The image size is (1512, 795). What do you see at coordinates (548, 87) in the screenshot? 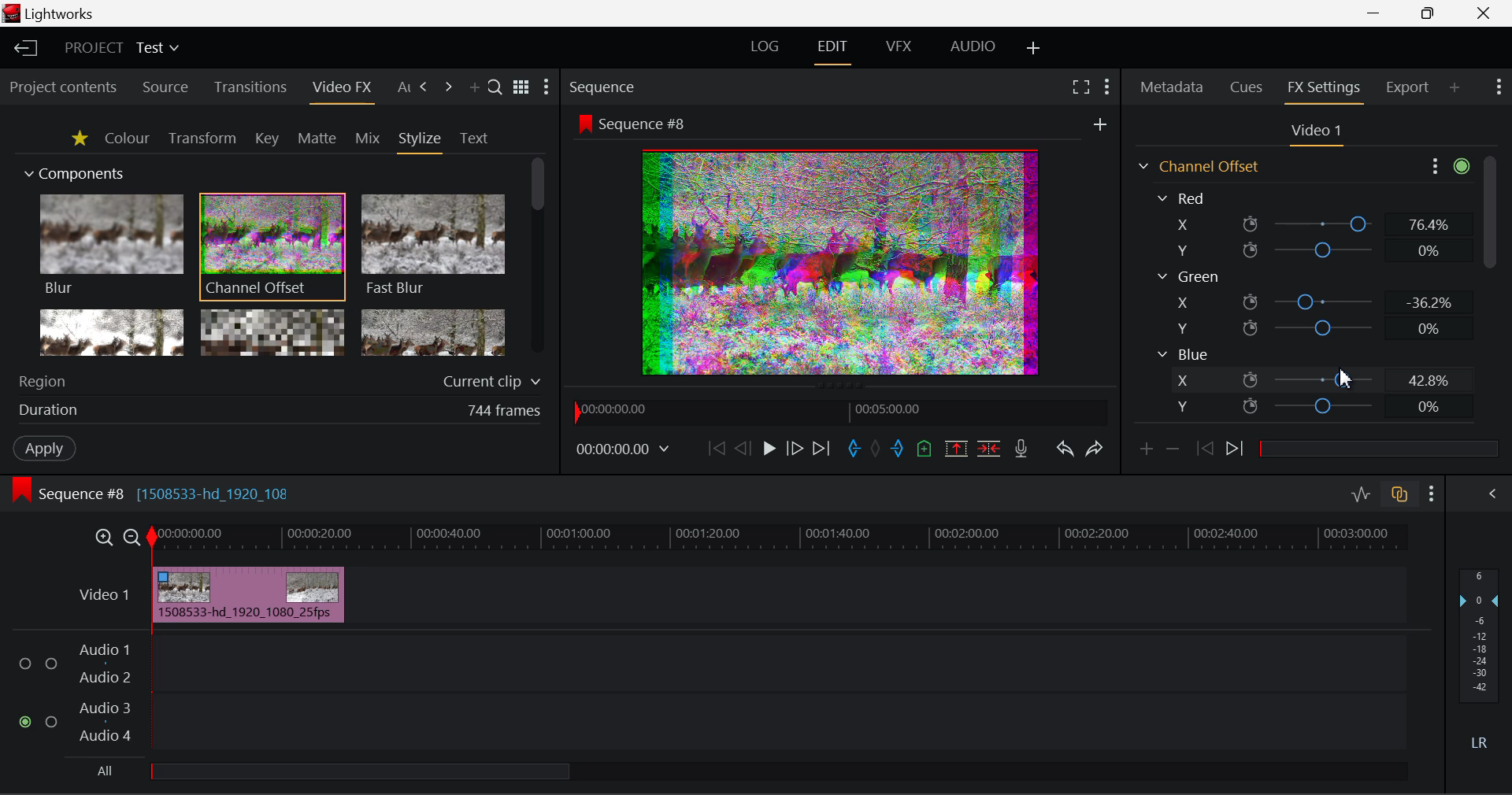
I see `Show Settings` at bounding box center [548, 87].